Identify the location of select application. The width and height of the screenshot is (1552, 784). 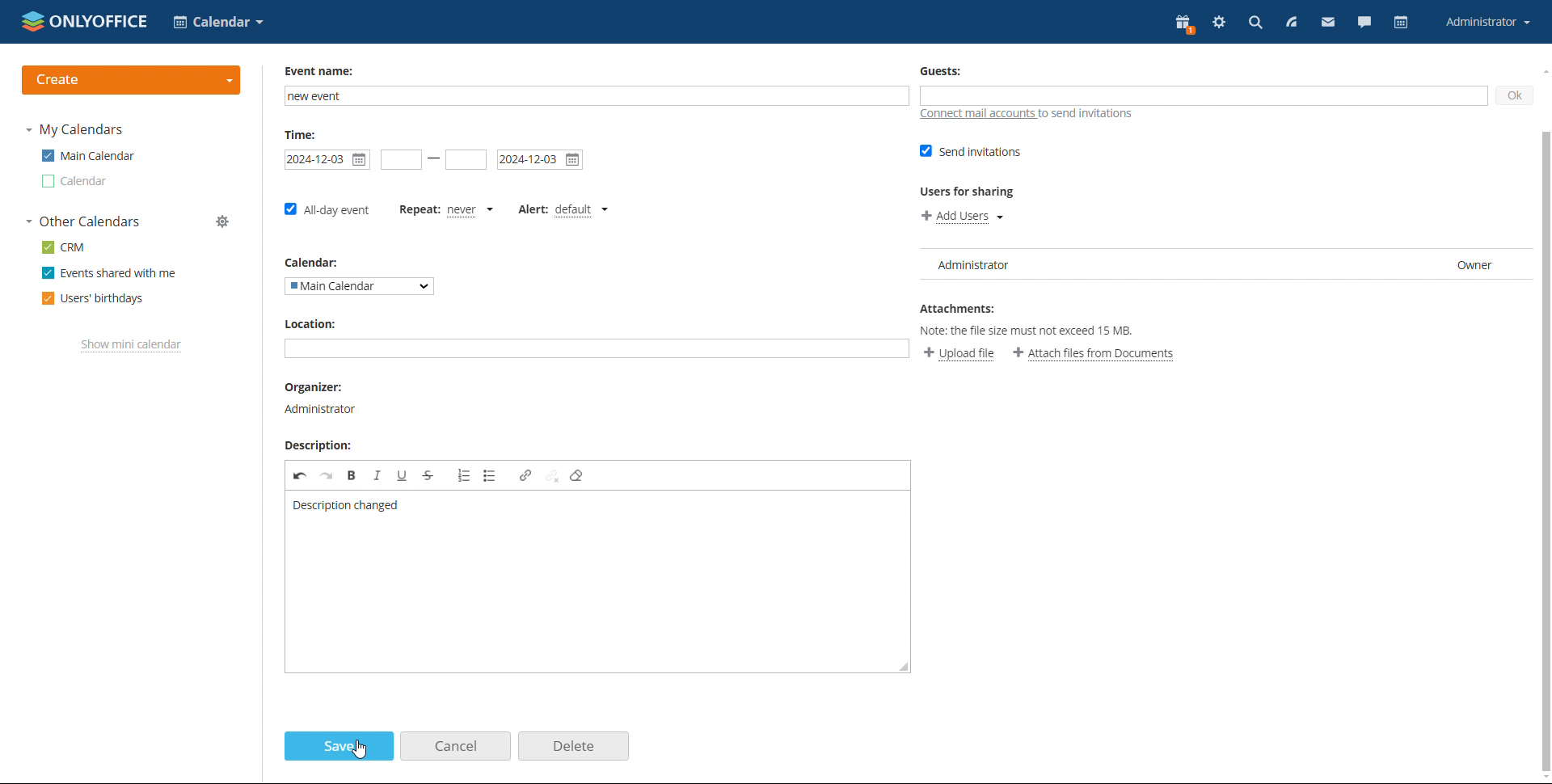
(218, 22).